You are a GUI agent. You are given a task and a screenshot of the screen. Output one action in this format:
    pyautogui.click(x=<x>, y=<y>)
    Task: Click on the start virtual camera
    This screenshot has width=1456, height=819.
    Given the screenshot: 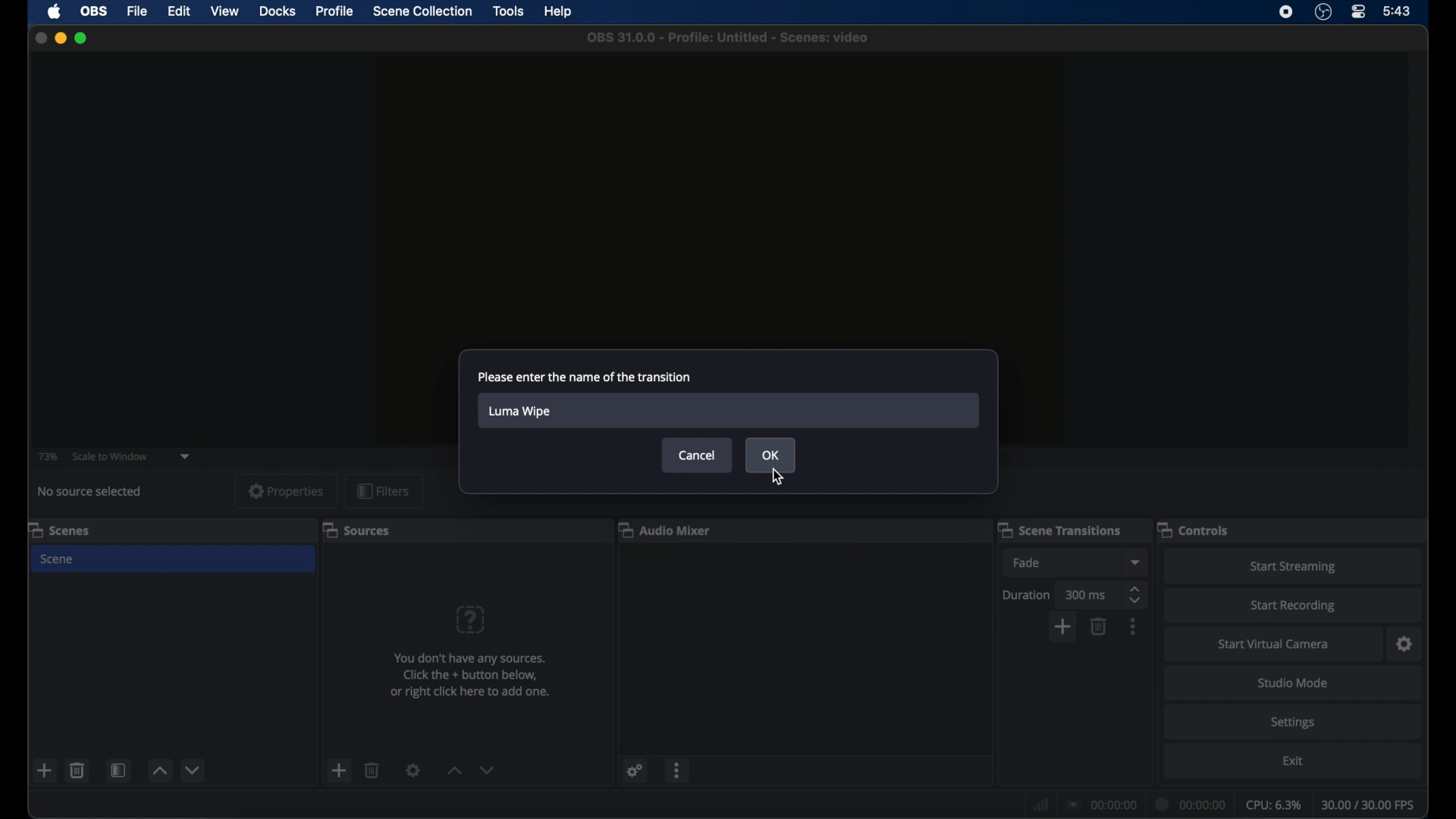 What is the action you would take?
    pyautogui.click(x=1273, y=644)
    